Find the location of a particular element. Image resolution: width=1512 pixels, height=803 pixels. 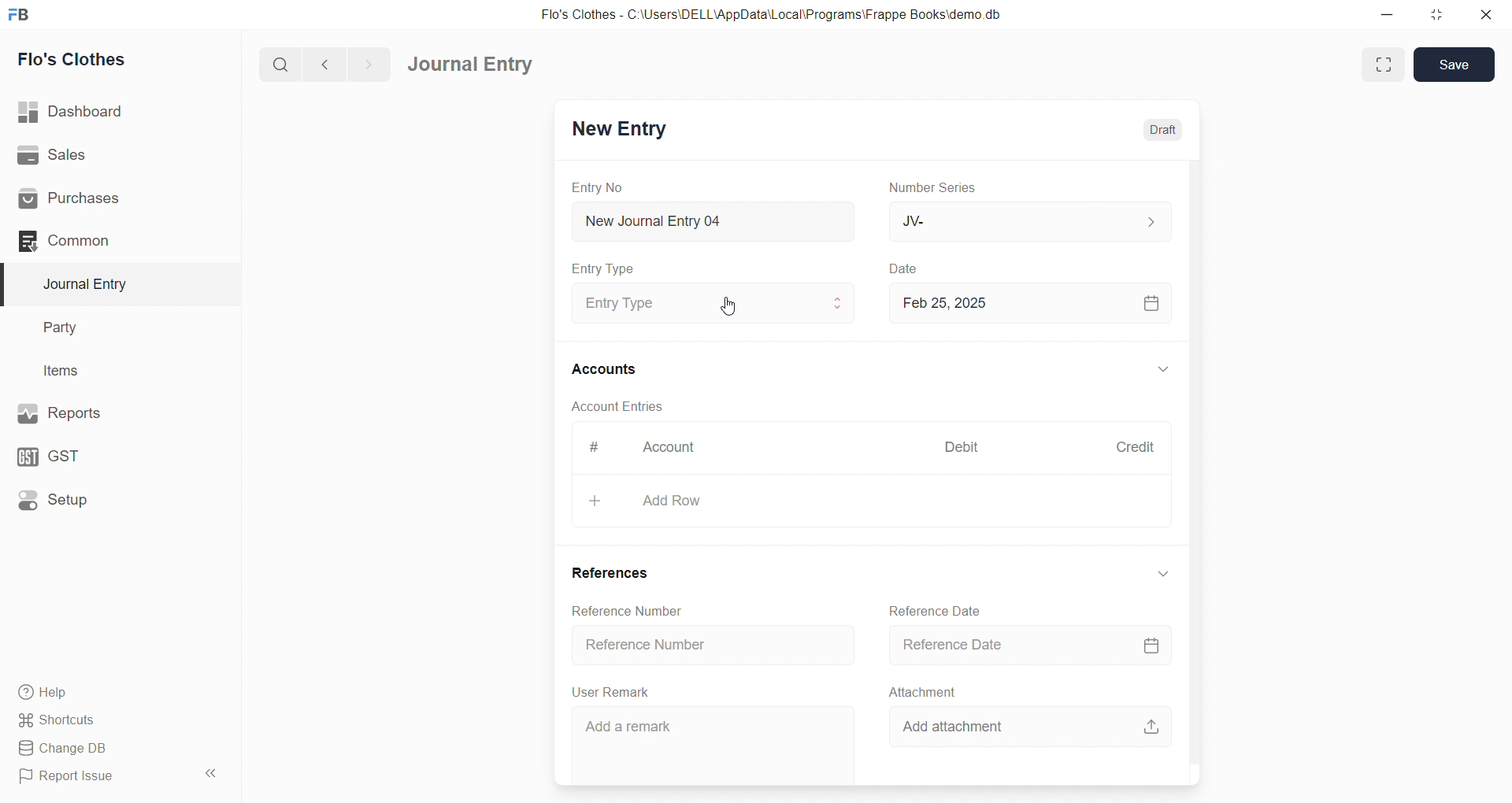

Items is located at coordinates (109, 372).